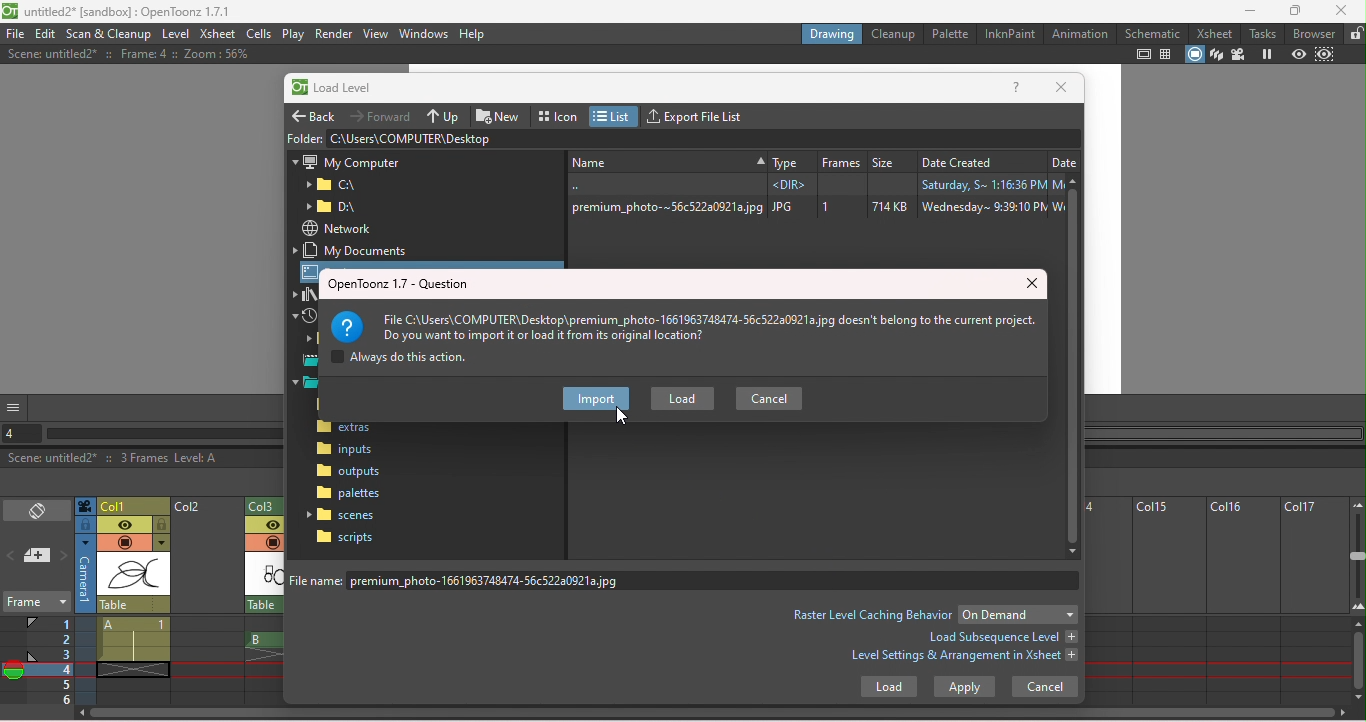 The height and width of the screenshot is (722, 1366). Describe the element at coordinates (217, 35) in the screenshot. I see `Xsheet` at that location.